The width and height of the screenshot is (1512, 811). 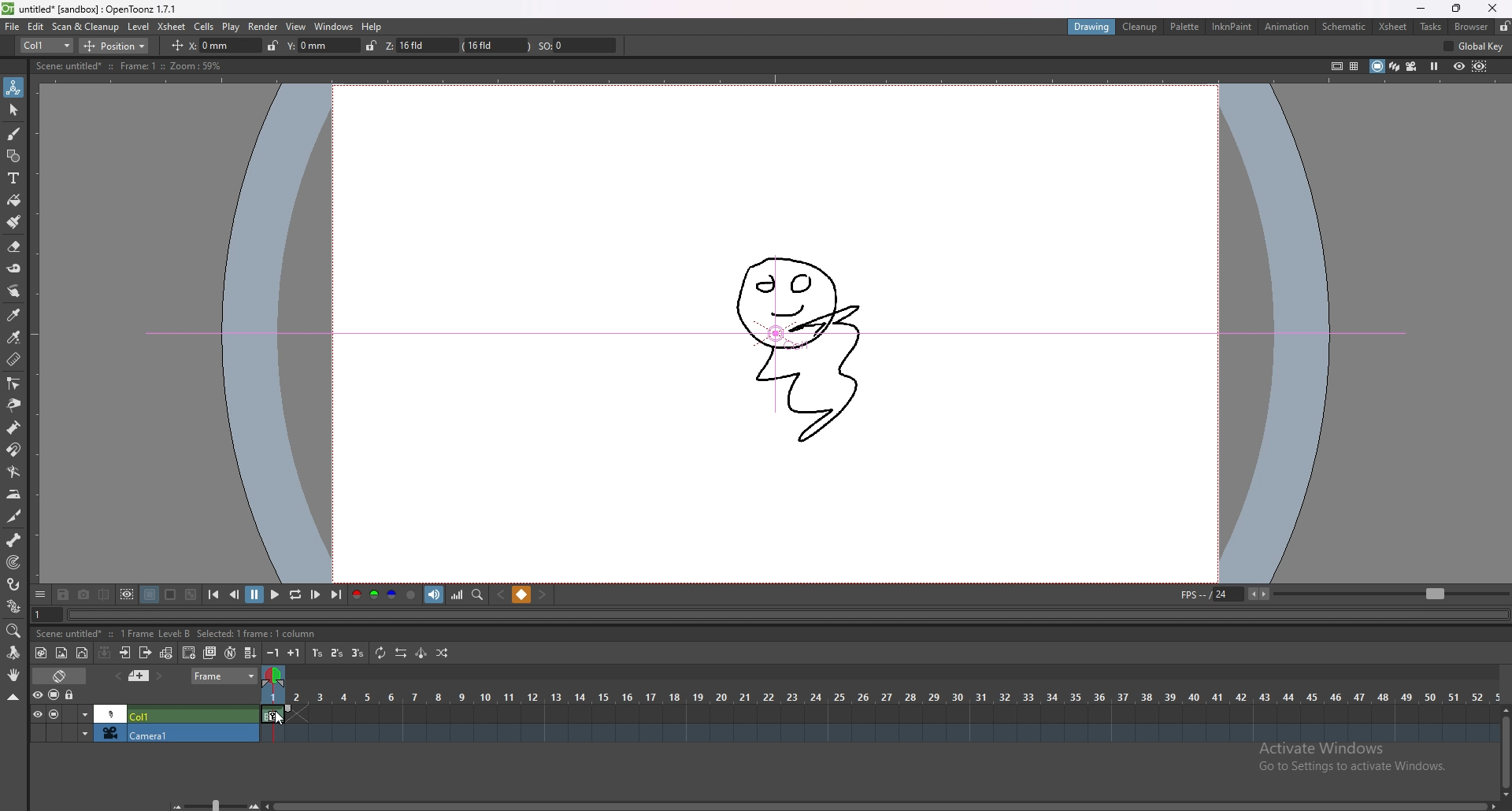 What do you see at coordinates (83, 653) in the screenshot?
I see `new vector level` at bounding box center [83, 653].